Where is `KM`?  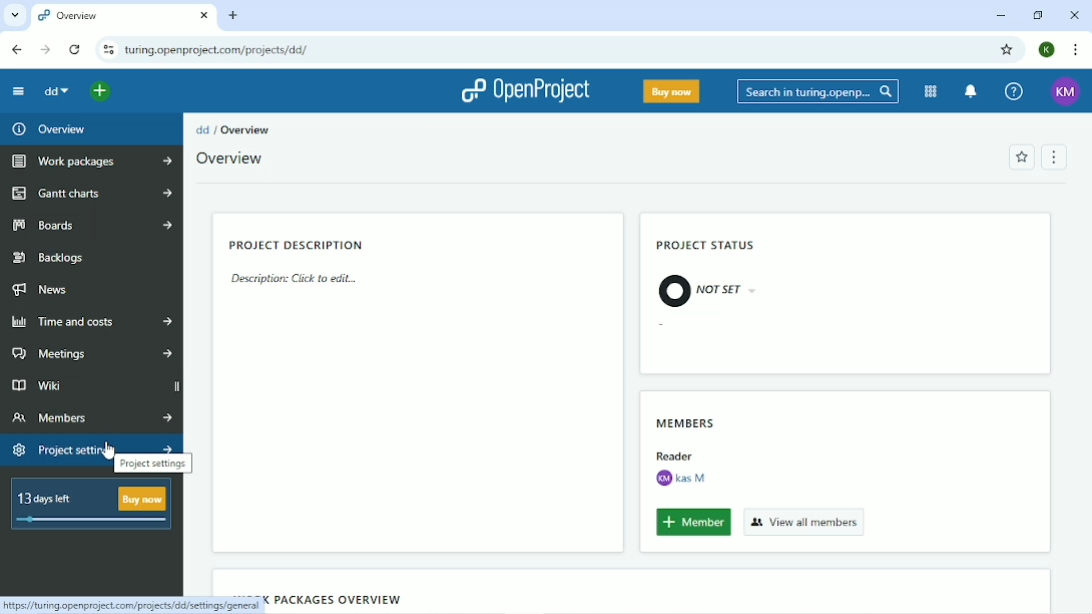
KM is located at coordinates (1068, 90).